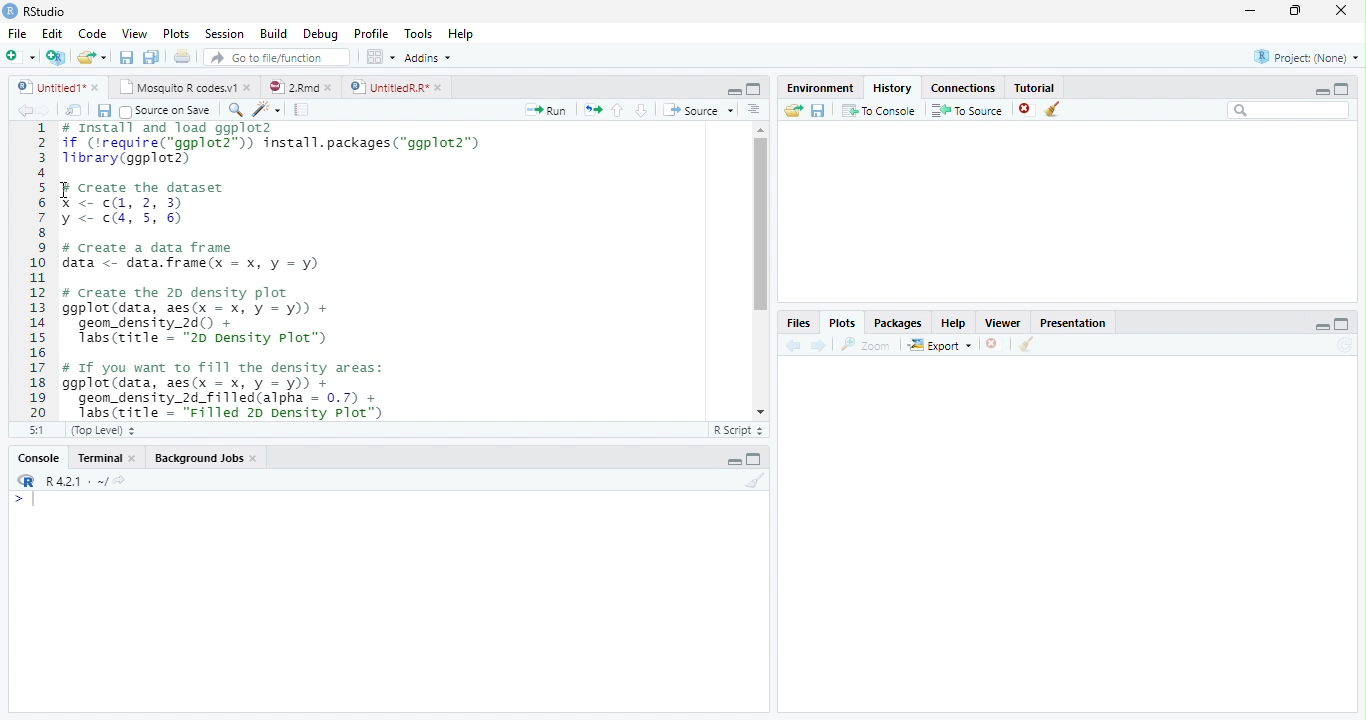  What do you see at coordinates (1026, 346) in the screenshot?
I see `clear` at bounding box center [1026, 346].